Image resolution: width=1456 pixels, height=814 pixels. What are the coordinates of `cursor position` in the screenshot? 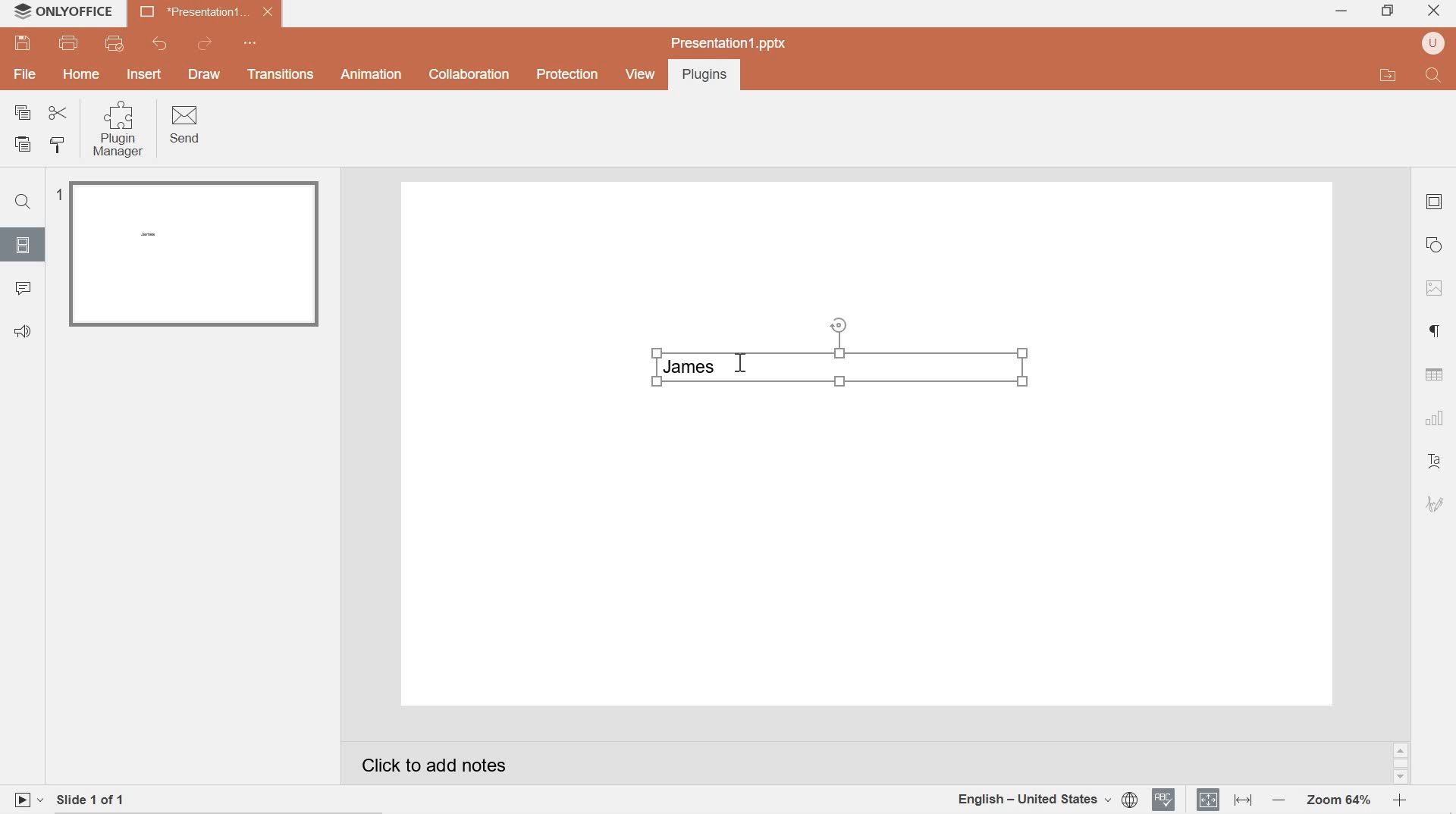 It's located at (741, 364).